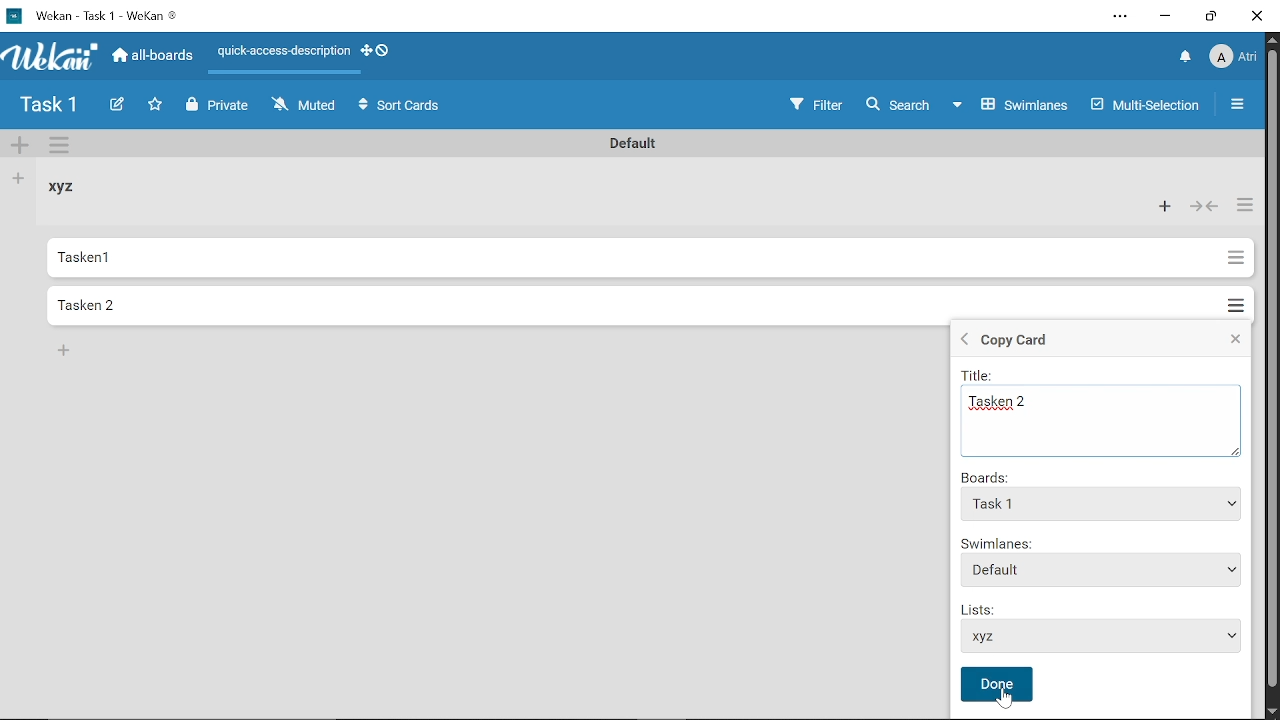 The image size is (1280, 720). I want to click on Multiselection, so click(1147, 104).